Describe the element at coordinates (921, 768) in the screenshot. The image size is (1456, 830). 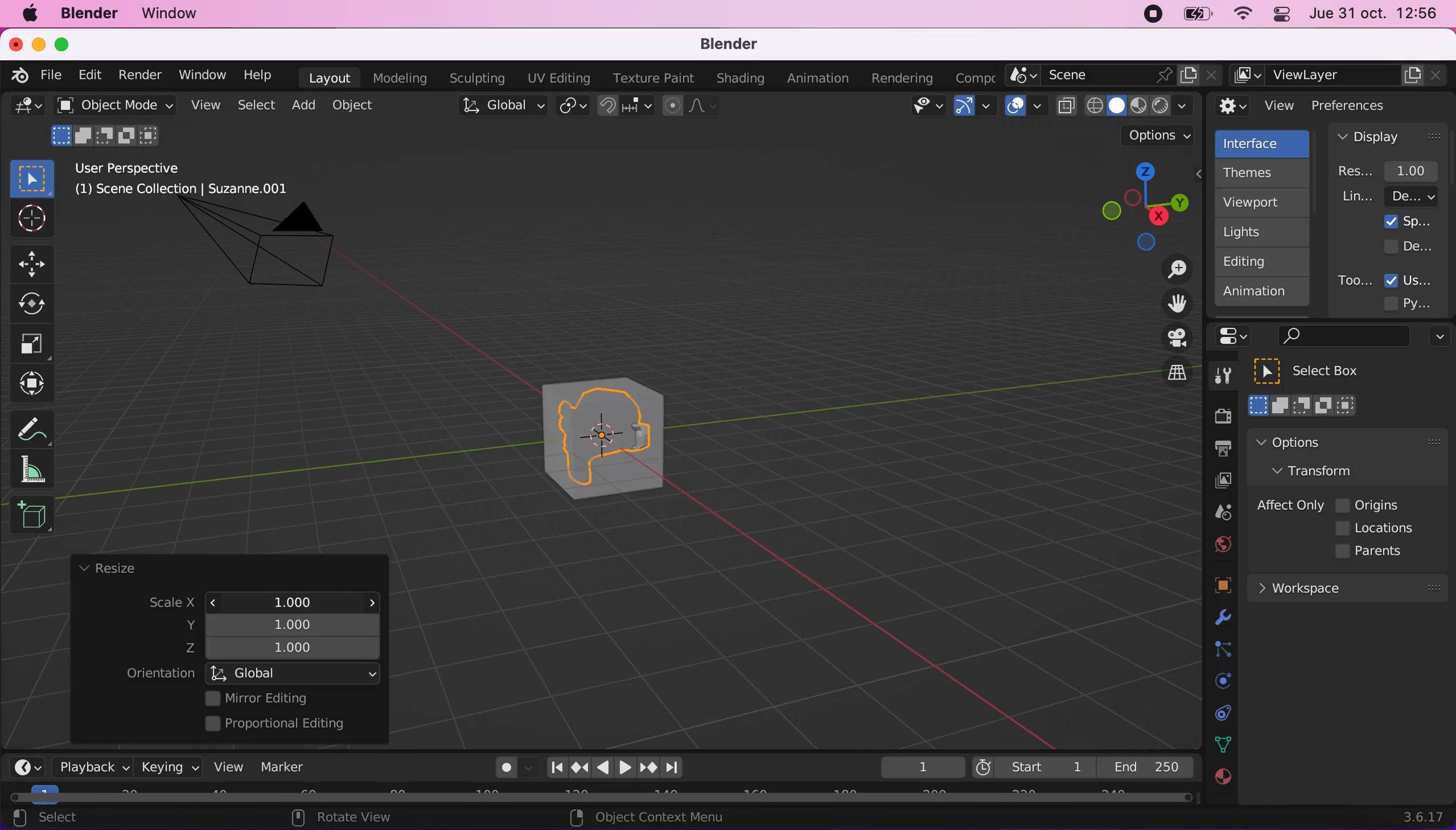
I see `keyframe` at that location.